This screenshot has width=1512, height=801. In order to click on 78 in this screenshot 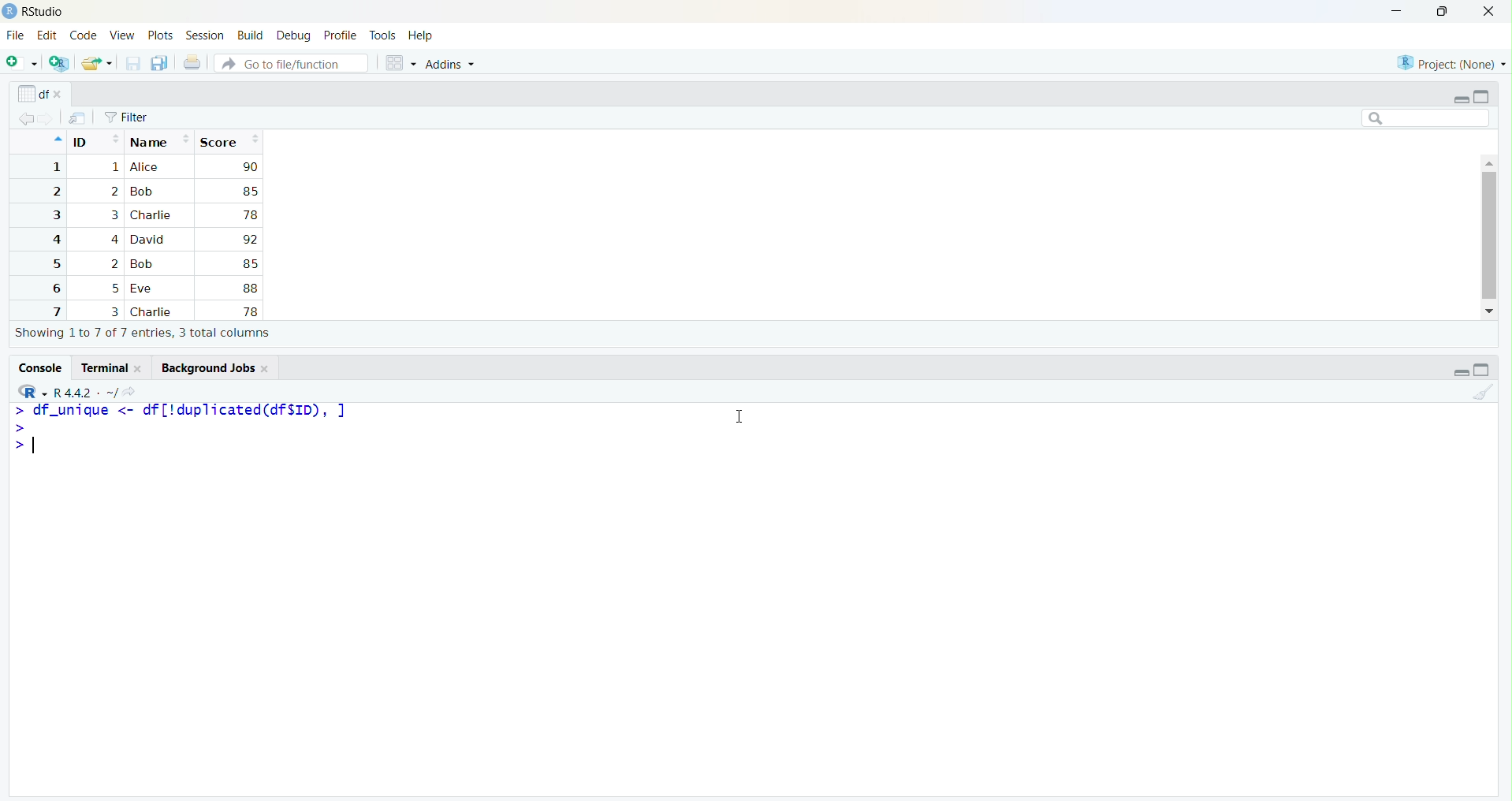, I will do `click(250, 215)`.